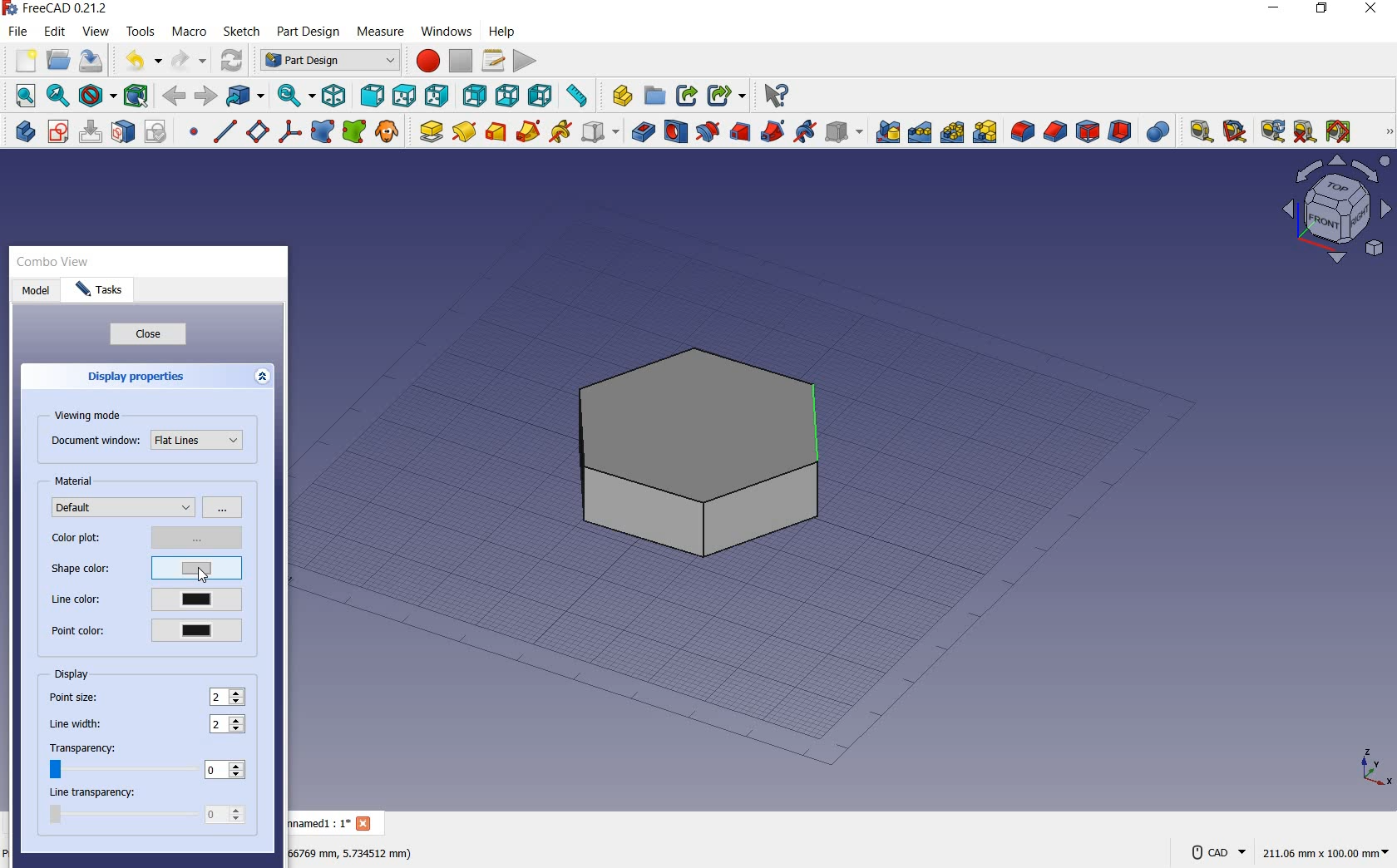 The image size is (1397, 868). Describe the element at coordinates (124, 132) in the screenshot. I see `map sketch to face` at that location.